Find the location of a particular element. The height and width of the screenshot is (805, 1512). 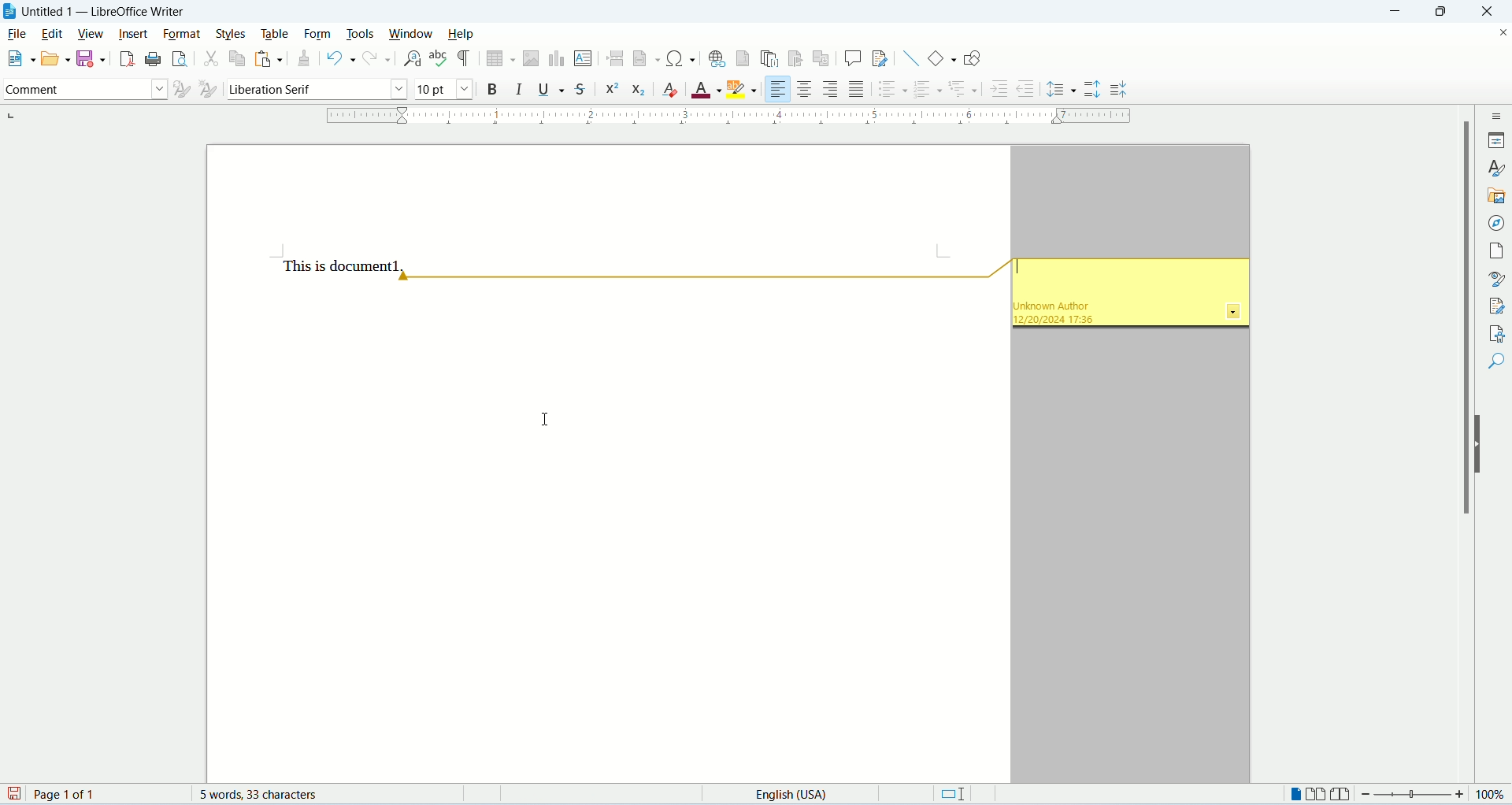

insert comment is located at coordinates (853, 58).